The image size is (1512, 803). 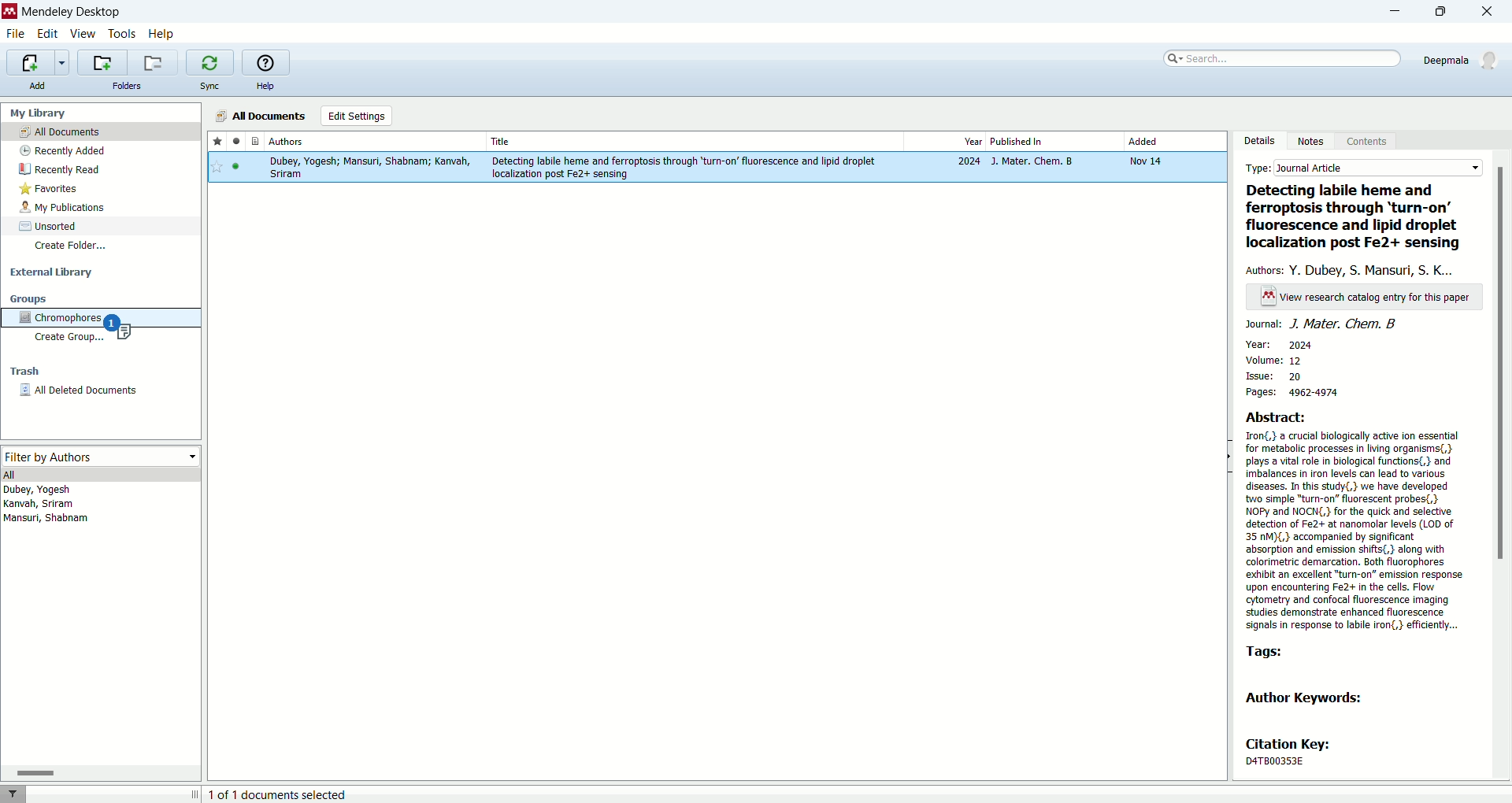 What do you see at coordinates (40, 113) in the screenshot?
I see `my library` at bounding box center [40, 113].